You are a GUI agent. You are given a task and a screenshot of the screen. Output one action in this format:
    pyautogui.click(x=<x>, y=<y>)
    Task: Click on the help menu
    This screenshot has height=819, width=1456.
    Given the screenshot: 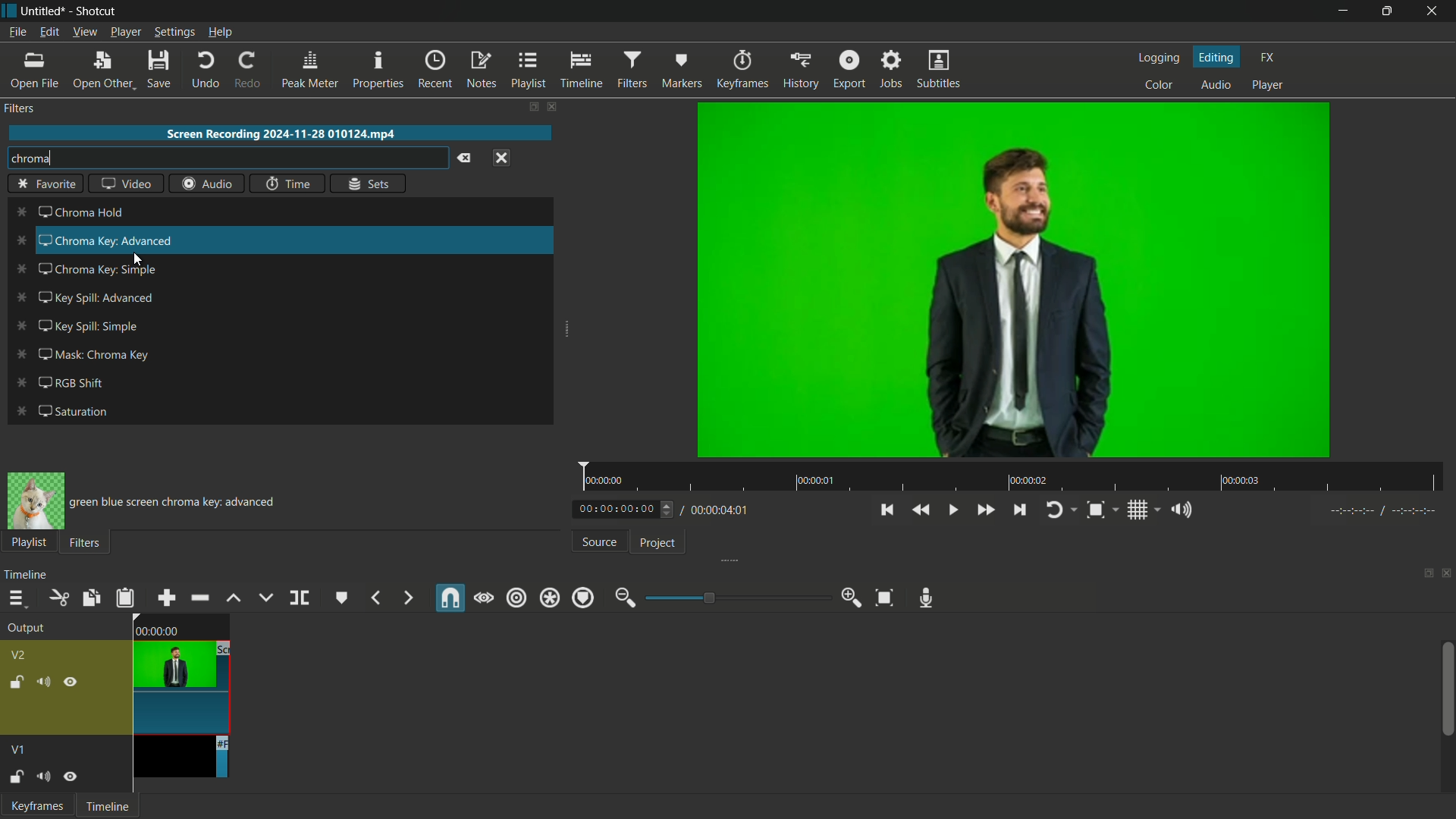 What is the action you would take?
    pyautogui.click(x=220, y=33)
    